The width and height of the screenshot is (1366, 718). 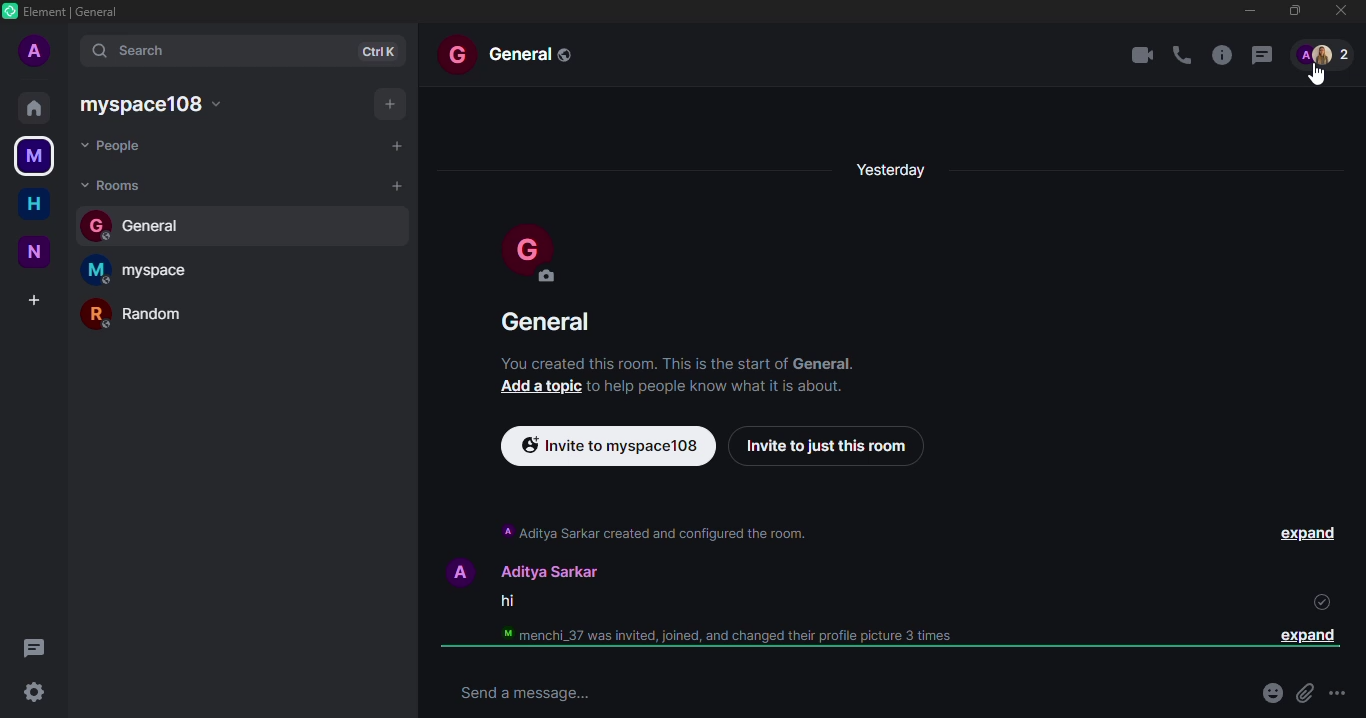 What do you see at coordinates (33, 692) in the screenshot?
I see `settings` at bounding box center [33, 692].